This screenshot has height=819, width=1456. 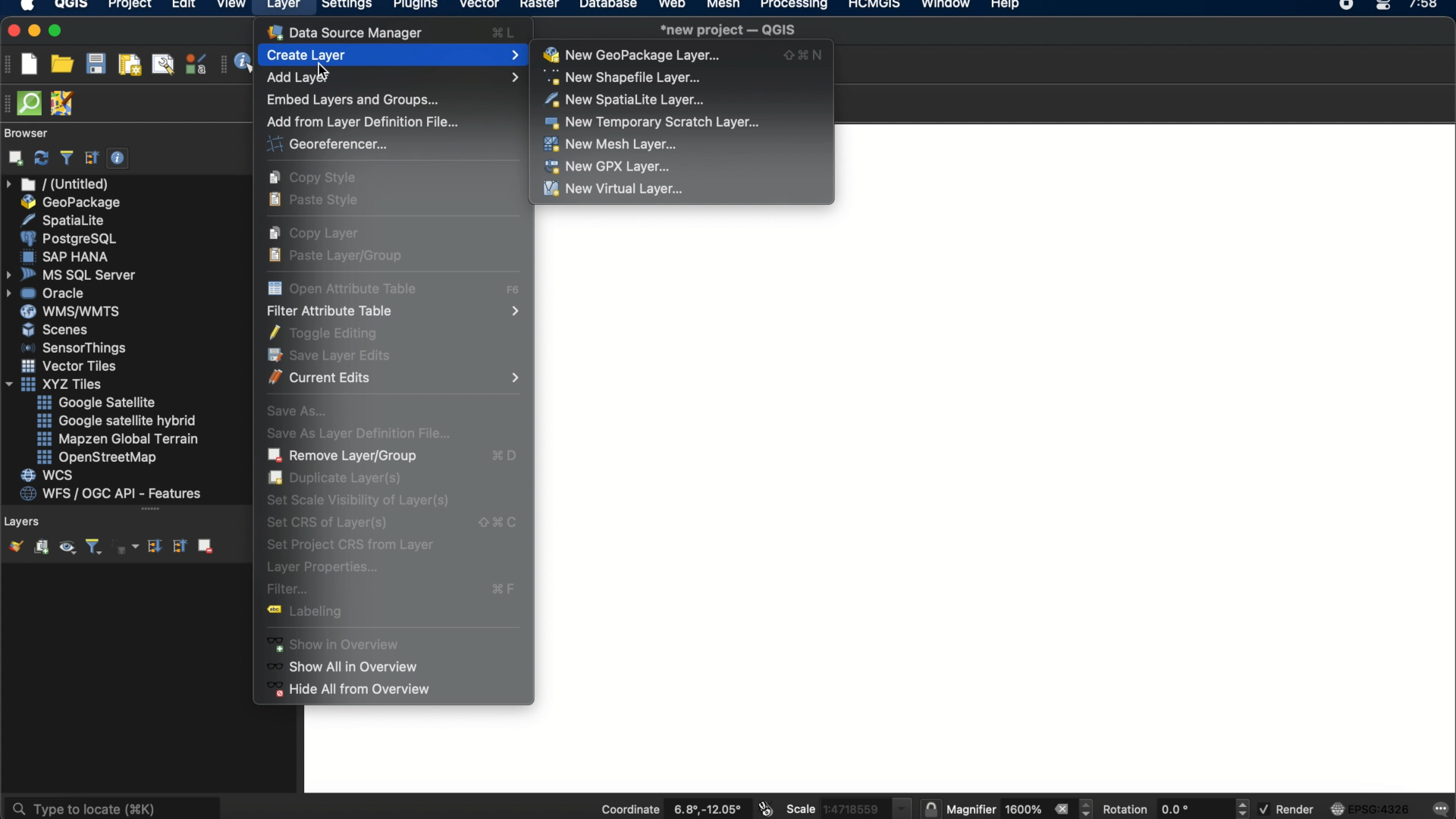 What do you see at coordinates (362, 545) in the screenshot?
I see `set project crs from layer` at bounding box center [362, 545].